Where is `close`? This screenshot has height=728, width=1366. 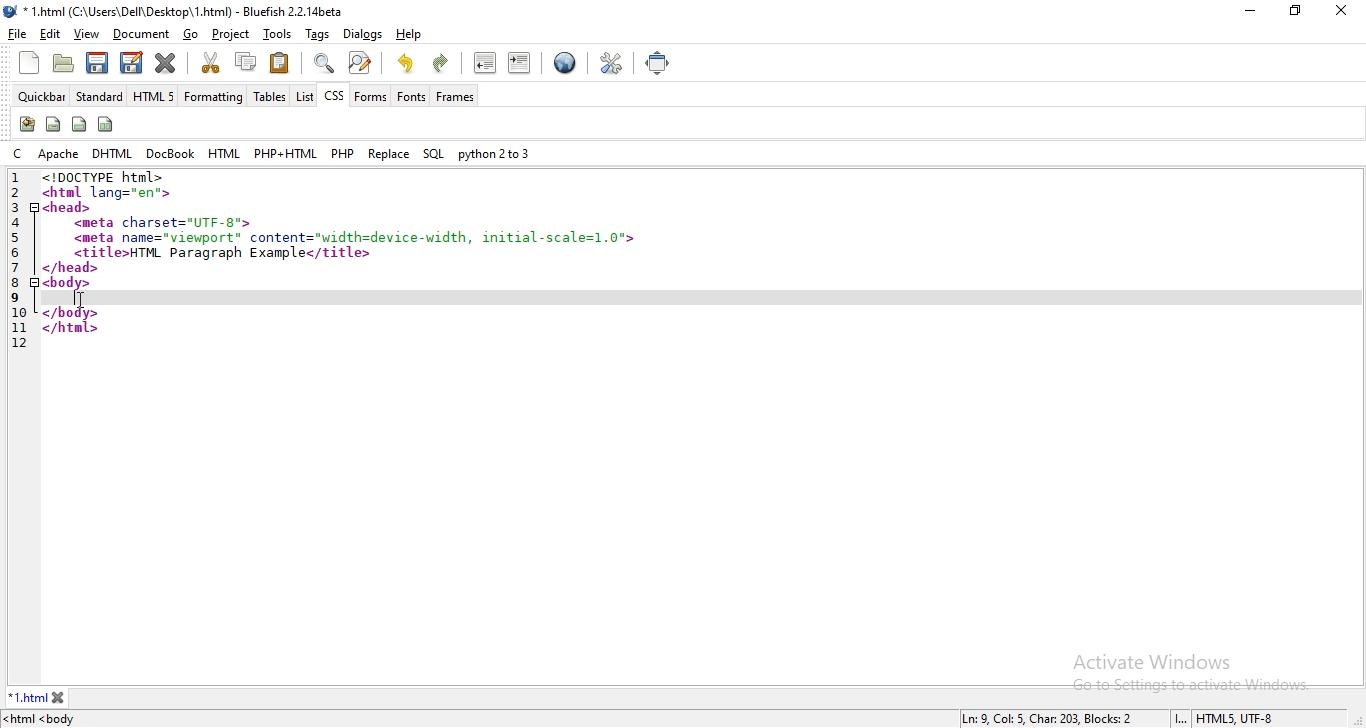 close is located at coordinates (1340, 10).